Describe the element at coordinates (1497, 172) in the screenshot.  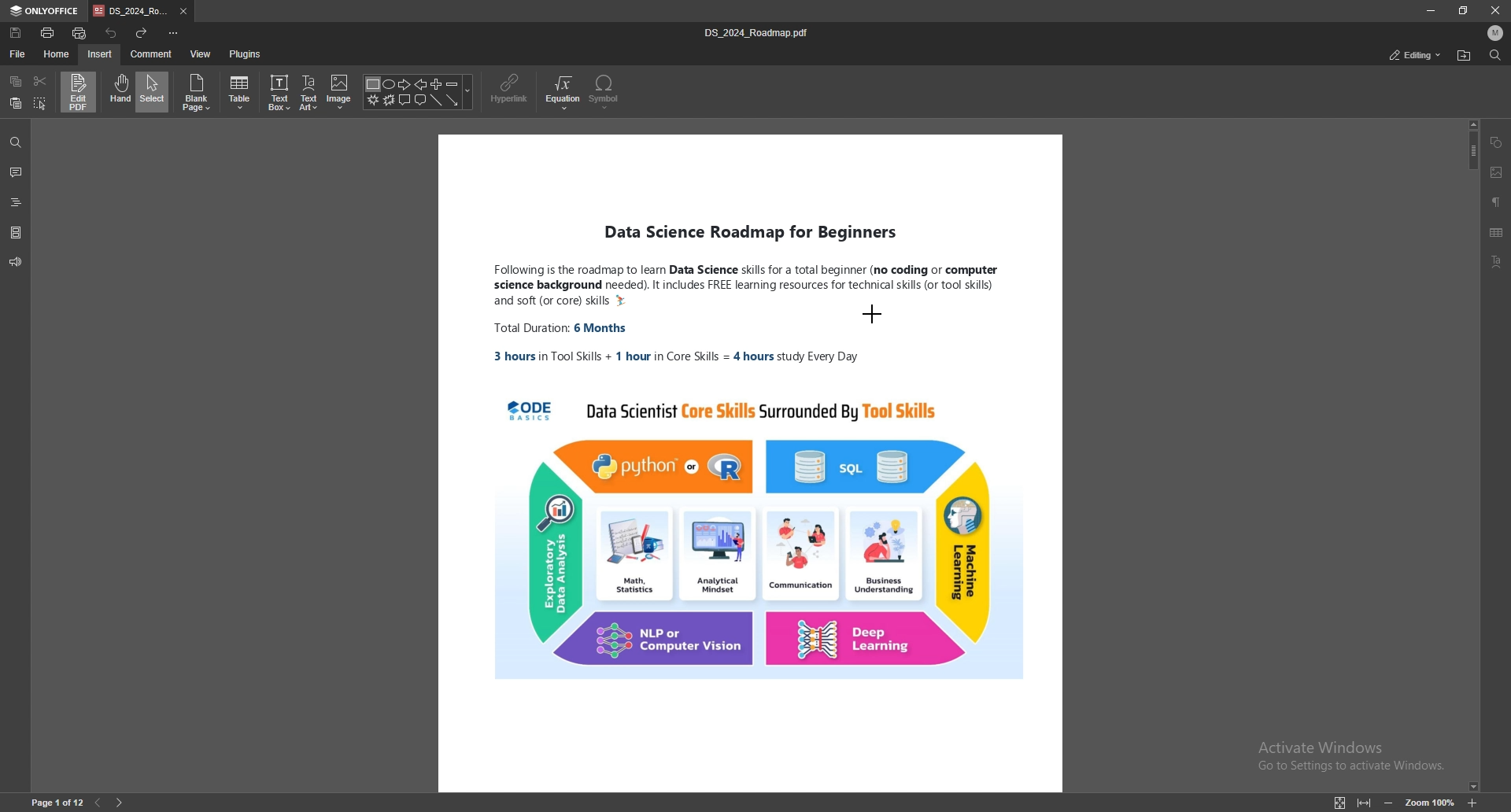
I see `image` at that location.